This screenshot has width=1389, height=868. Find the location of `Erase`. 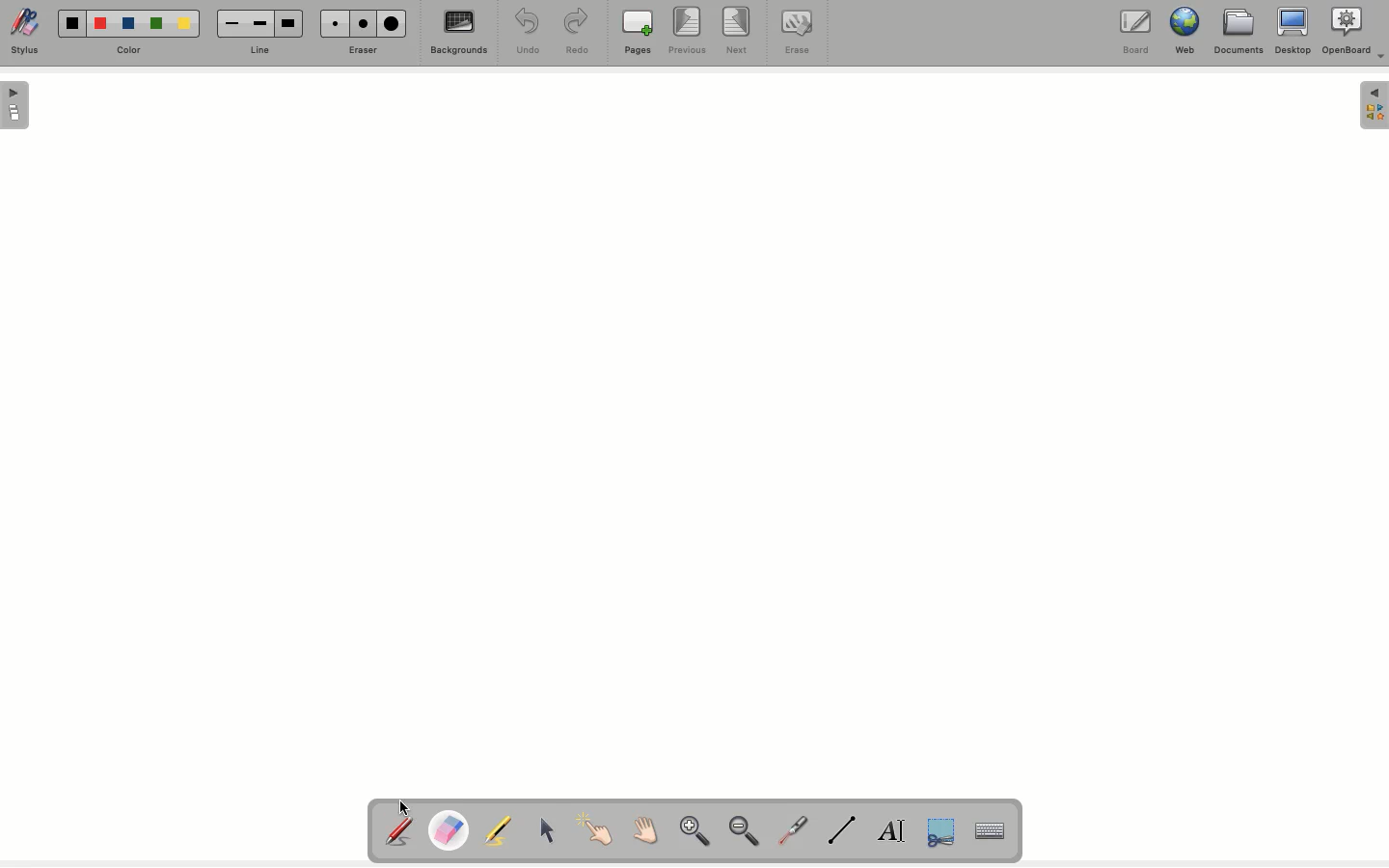

Erase is located at coordinates (362, 51).